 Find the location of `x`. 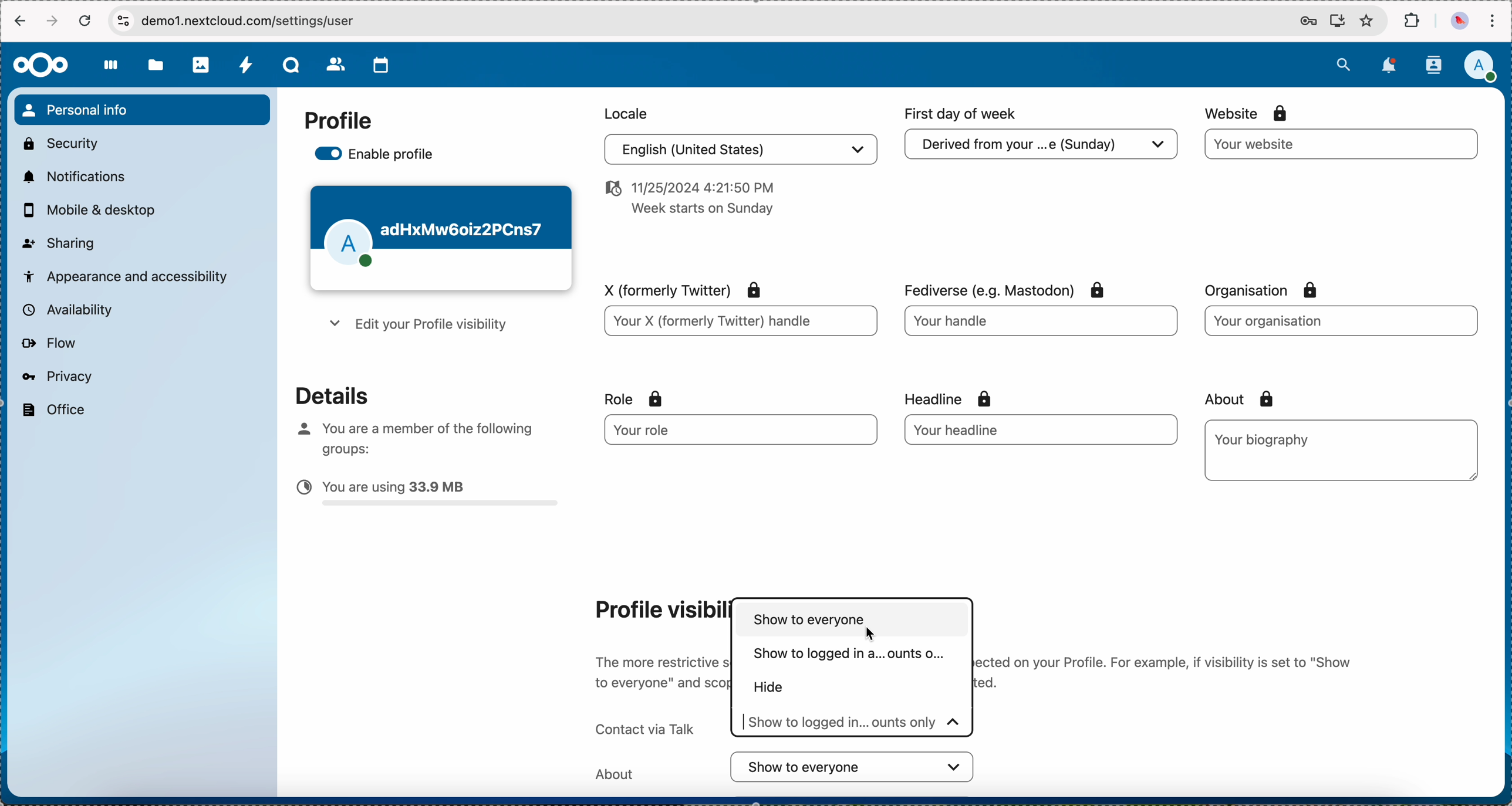

x is located at coordinates (677, 288).